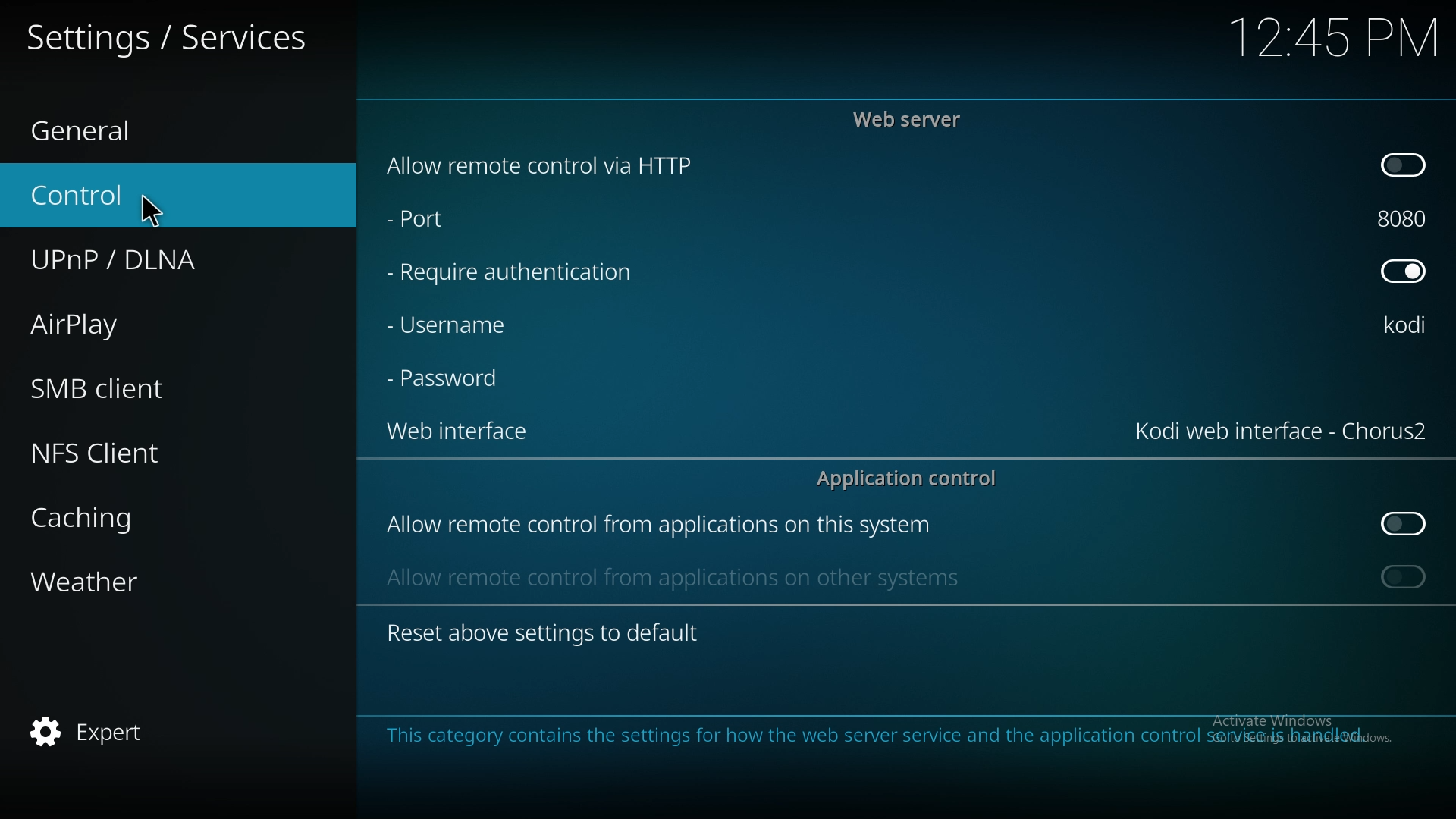 This screenshot has height=819, width=1456. What do you see at coordinates (1407, 327) in the screenshot?
I see `username` at bounding box center [1407, 327].